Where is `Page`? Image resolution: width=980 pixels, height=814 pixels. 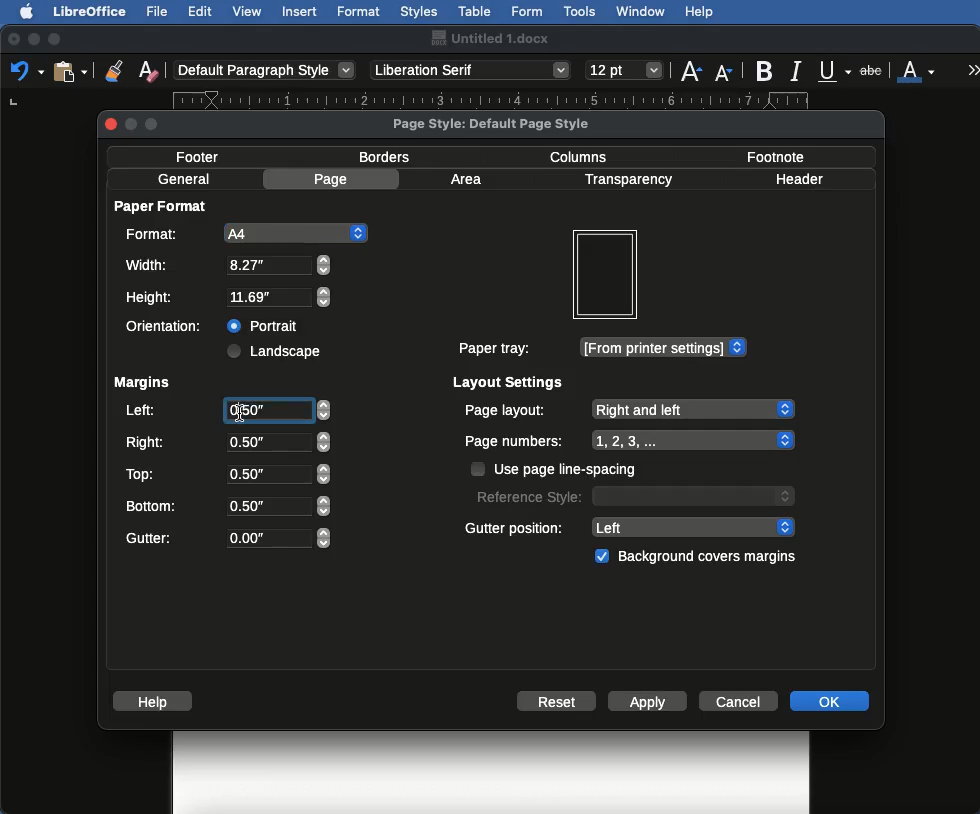 Page is located at coordinates (334, 179).